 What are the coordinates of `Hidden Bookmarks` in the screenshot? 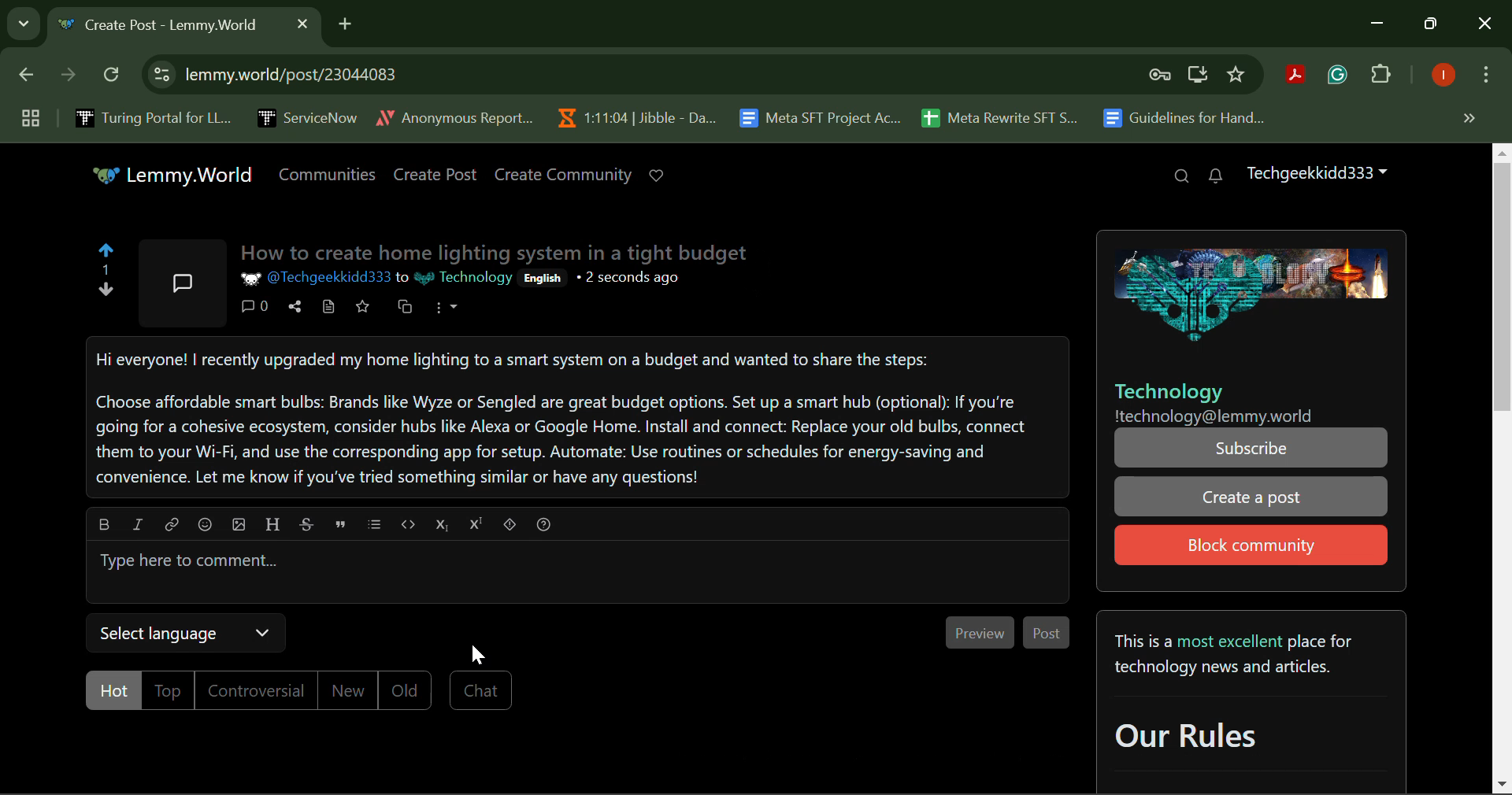 It's located at (1468, 117).